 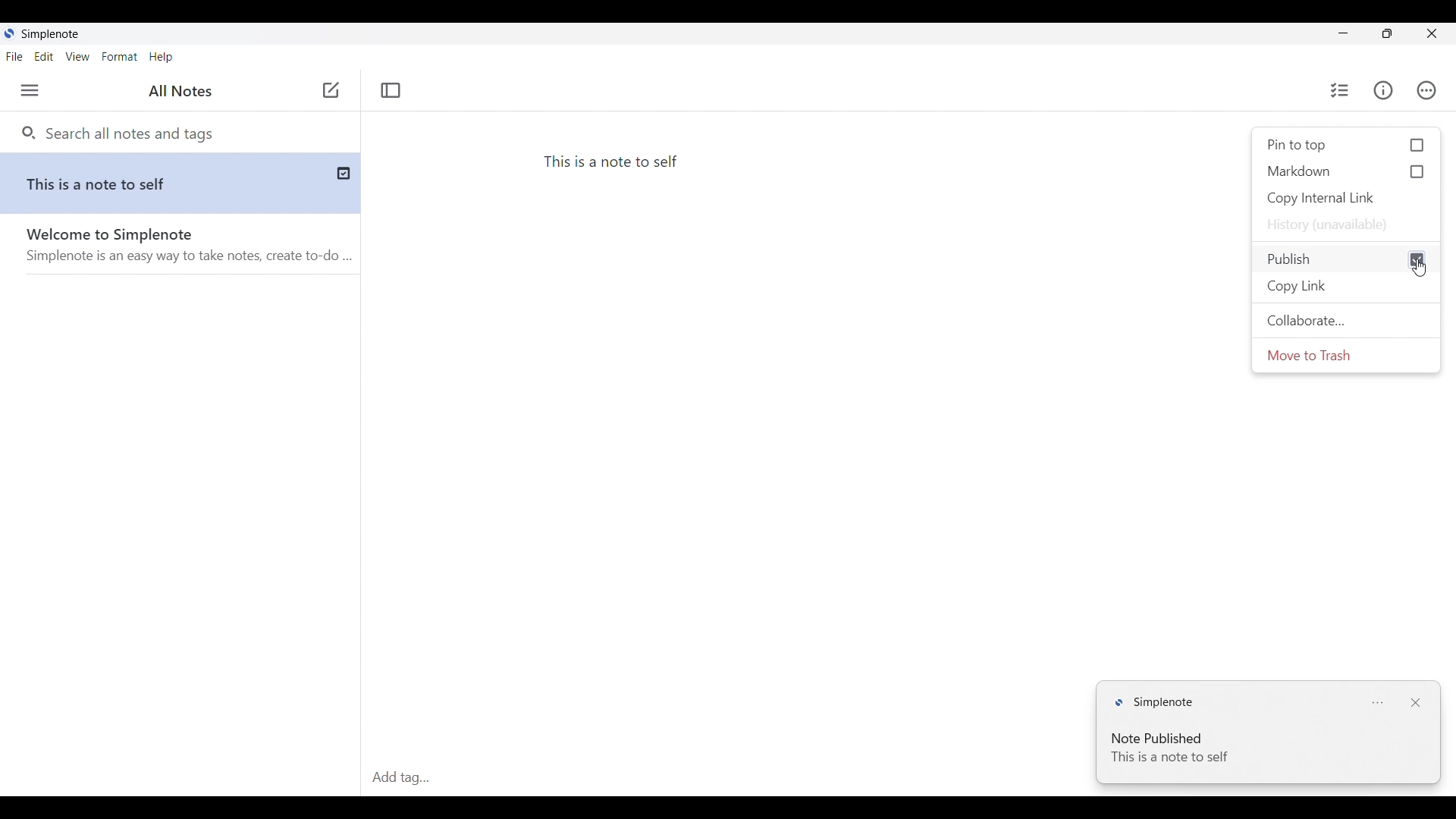 What do you see at coordinates (1345, 355) in the screenshot?
I see `Move to trash` at bounding box center [1345, 355].